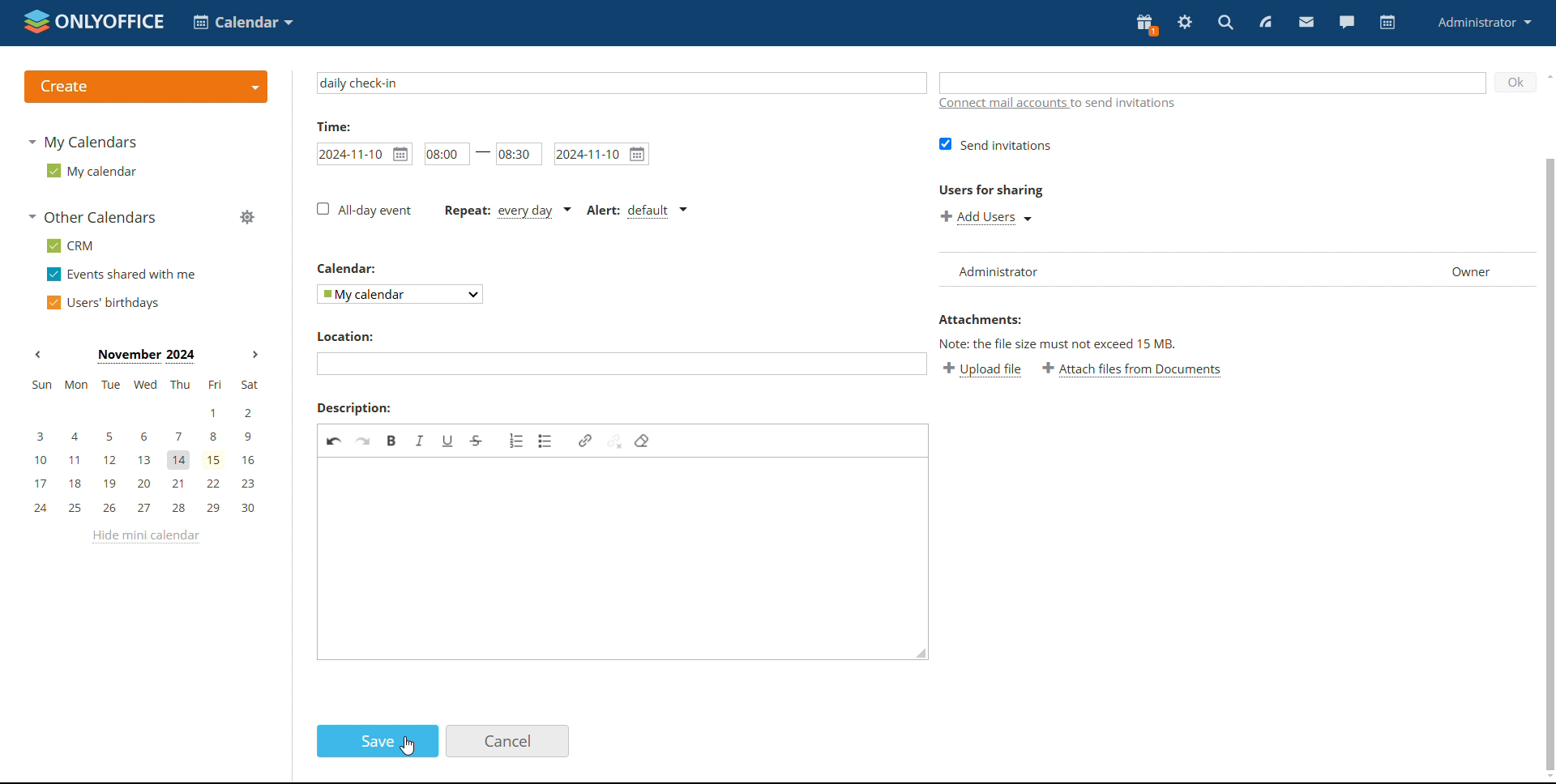  Describe the element at coordinates (94, 21) in the screenshot. I see `logo` at that location.